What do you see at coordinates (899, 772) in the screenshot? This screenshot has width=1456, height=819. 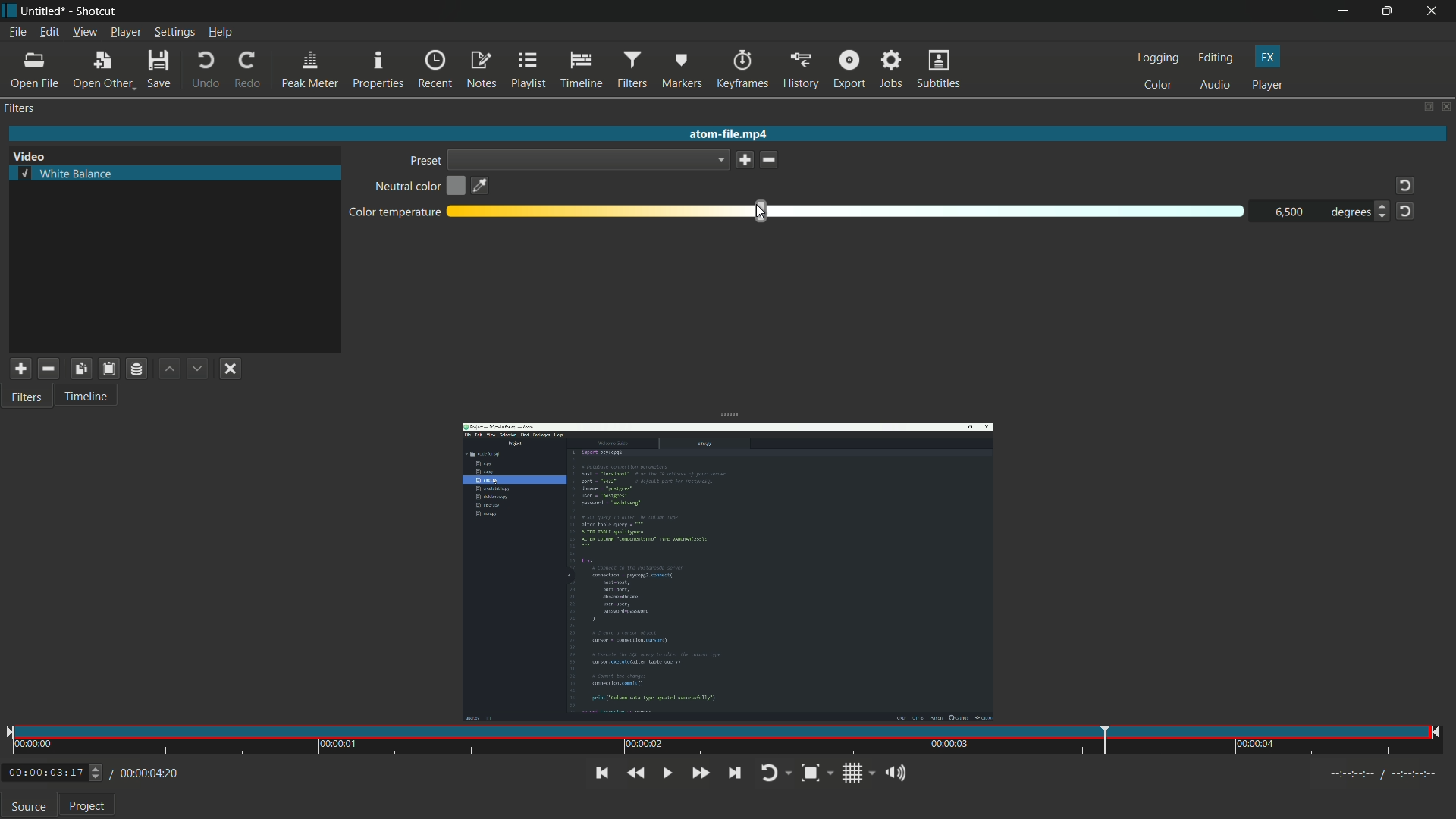 I see `show volume control` at bounding box center [899, 772].